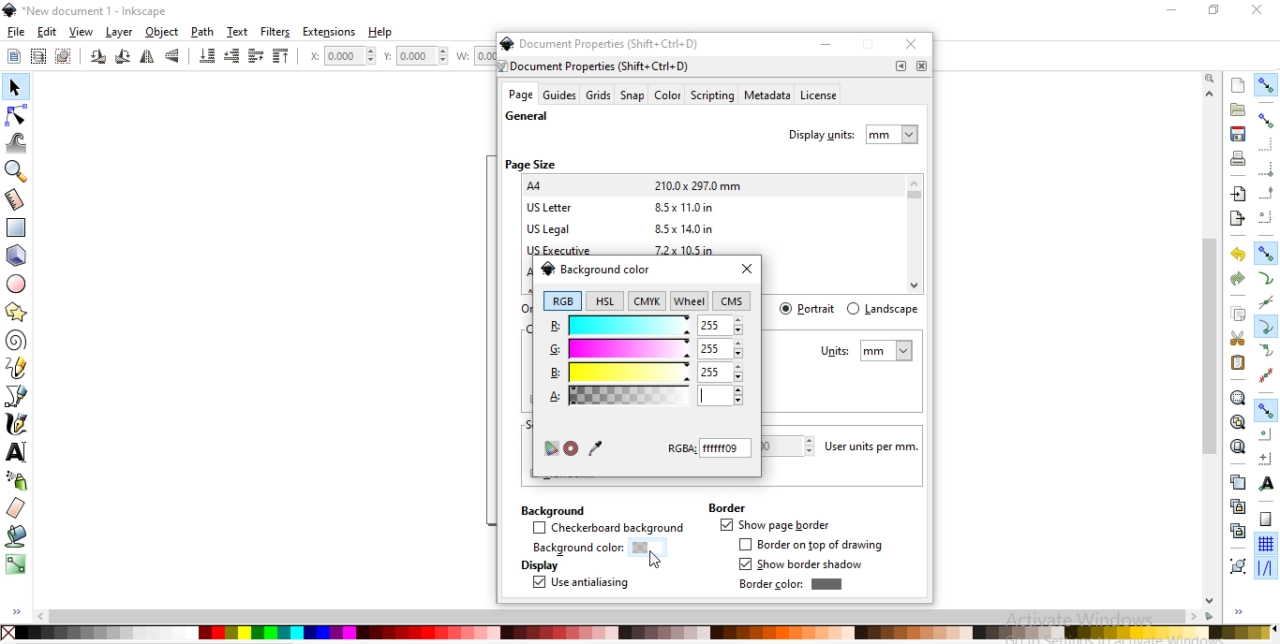 The height and width of the screenshot is (644, 1280). I want to click on draw freehand lines, so click(16, 368).